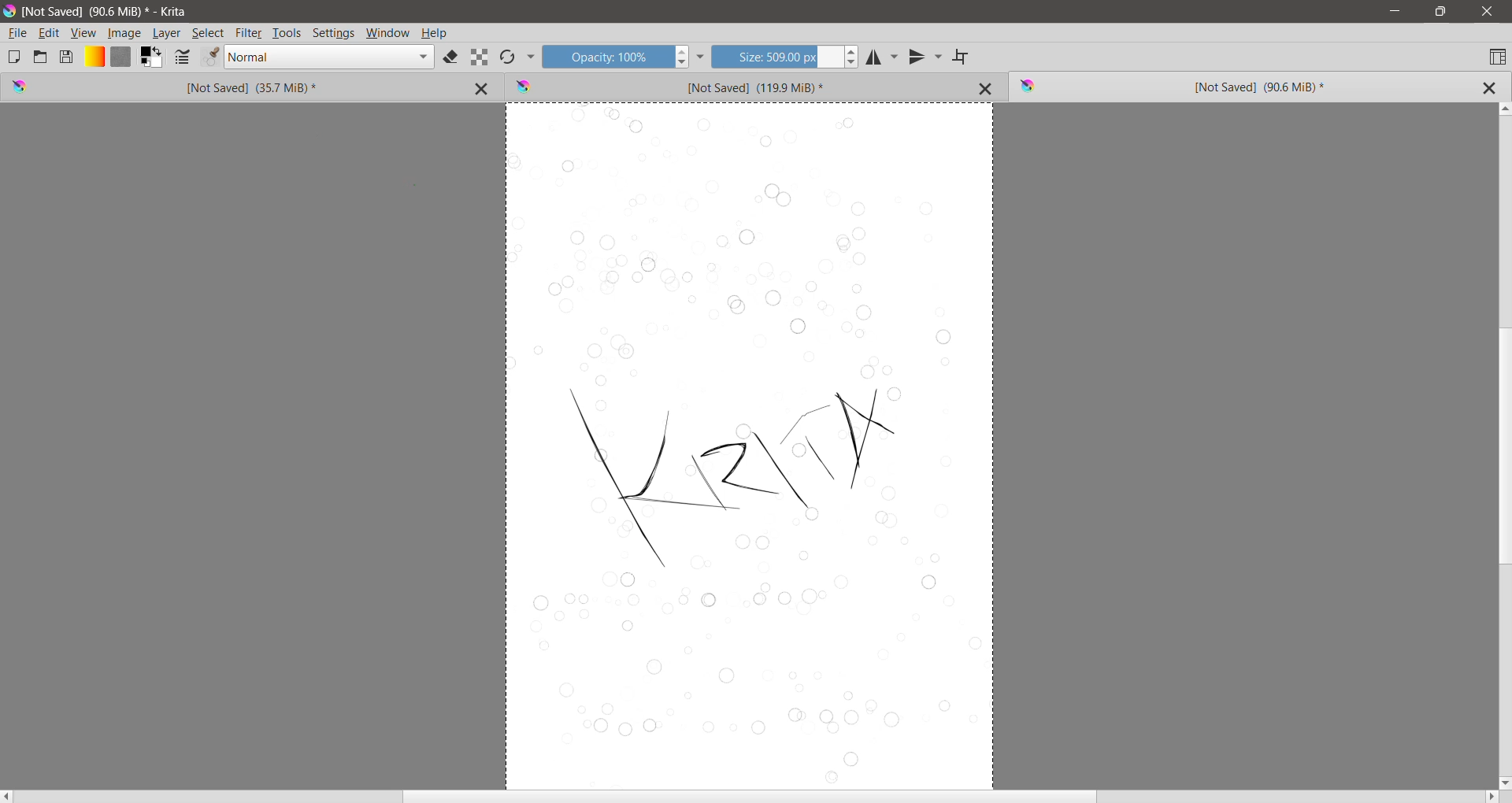  What do you see at coordinates (1497, 56) in the screenshot?
I see `Choose Workspace` at bounding box center [1497, 56].